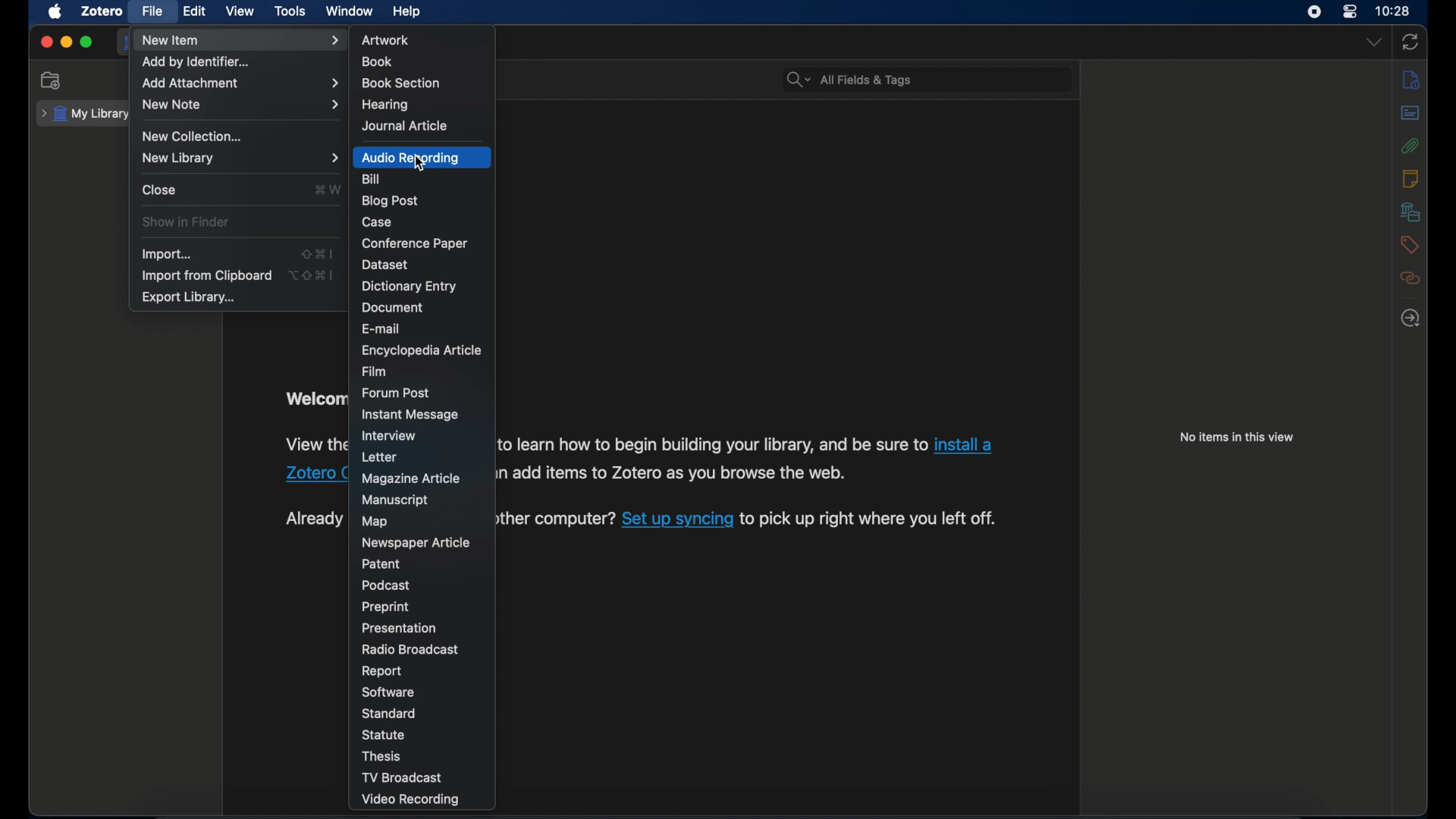 The height and width of the screenshot is (819, 1456). Describe the element at coordinates (241, 11) in the screenshot. I see `view` at that location.